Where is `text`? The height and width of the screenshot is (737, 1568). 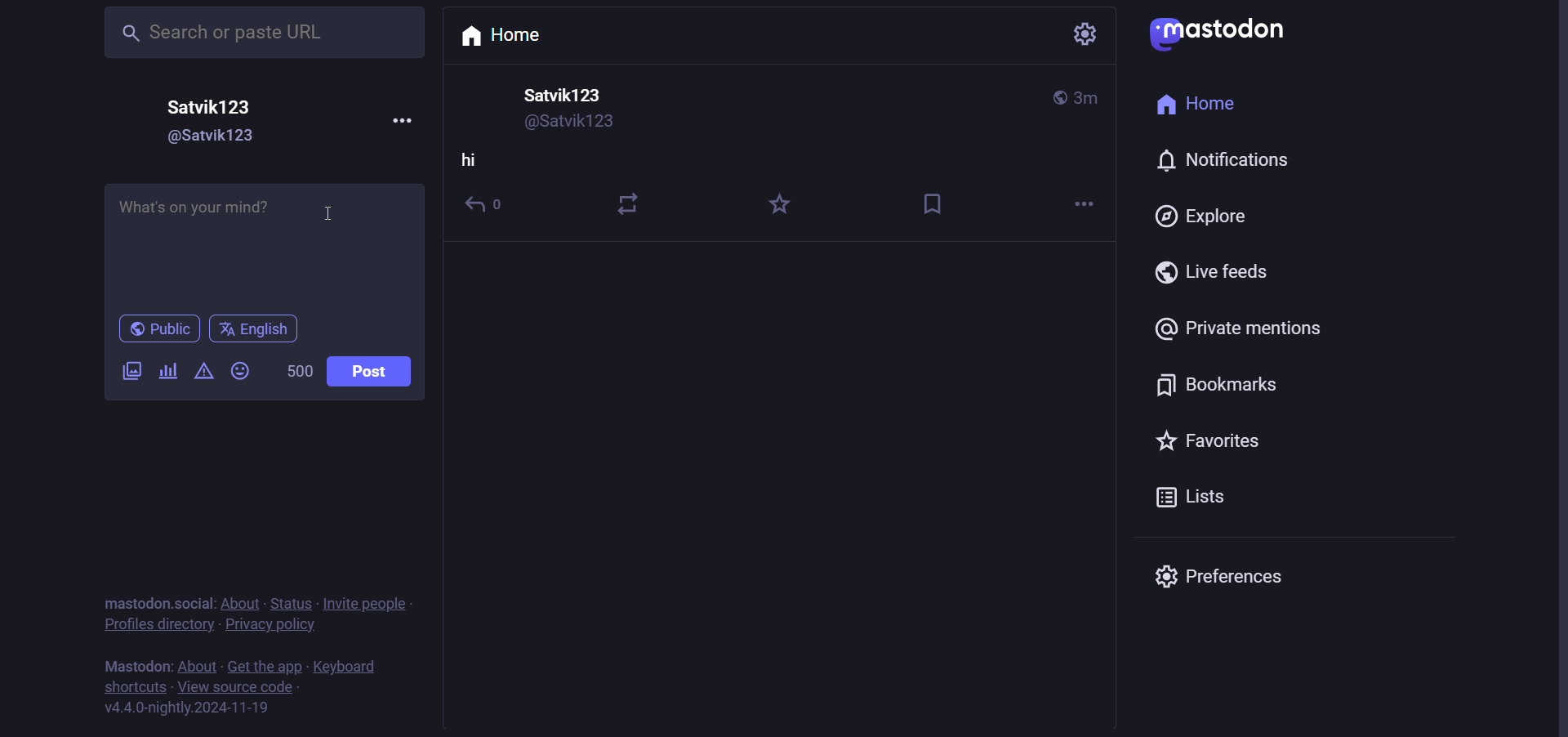 text is located at coordinates (136, 668).